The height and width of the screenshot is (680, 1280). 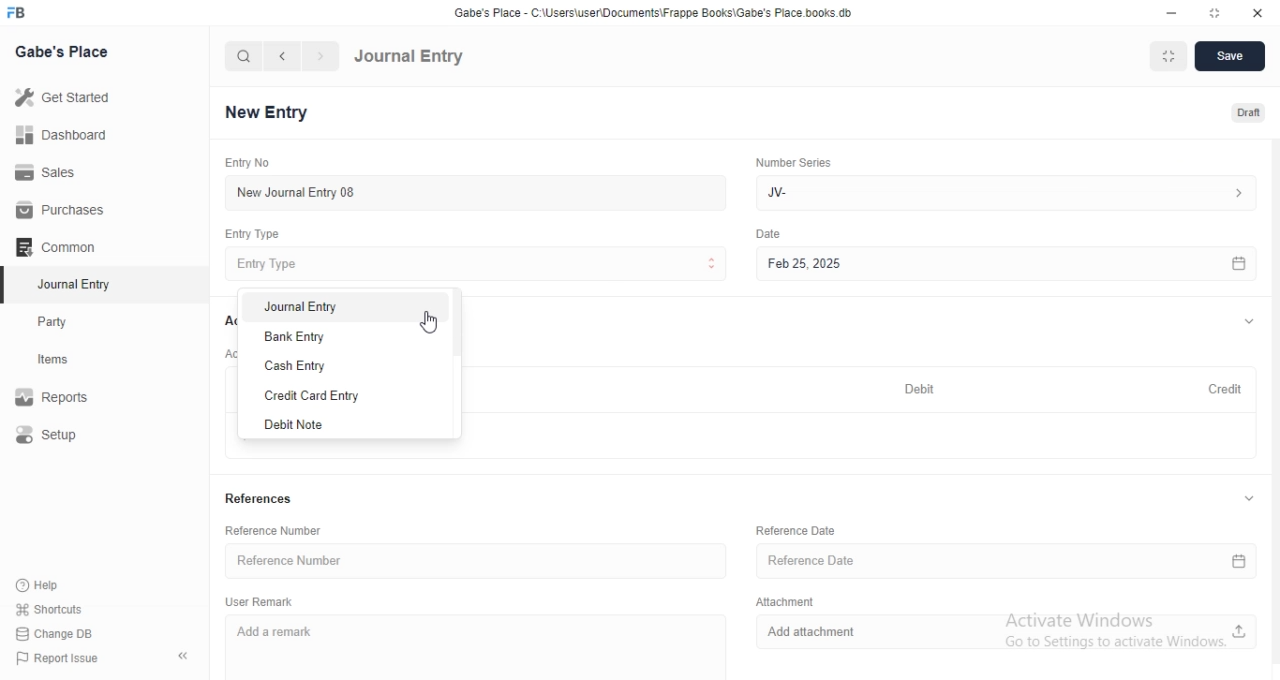 What do you see at coordinates (18, 13) in the screenshot?
I see `FB` at bounding box center [18, 13].